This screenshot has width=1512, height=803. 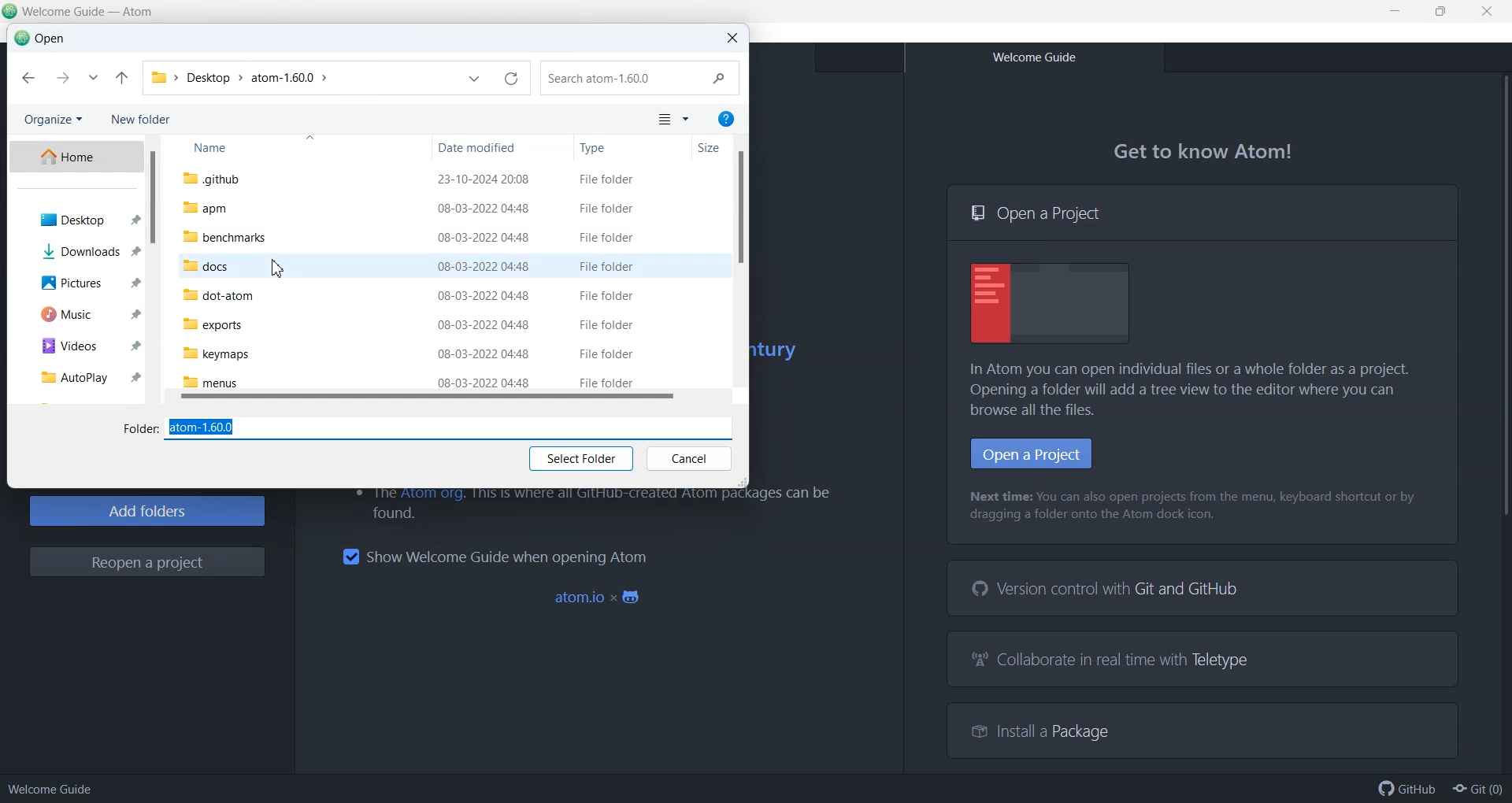 I want to click on Close, so click(x=732, y=39).